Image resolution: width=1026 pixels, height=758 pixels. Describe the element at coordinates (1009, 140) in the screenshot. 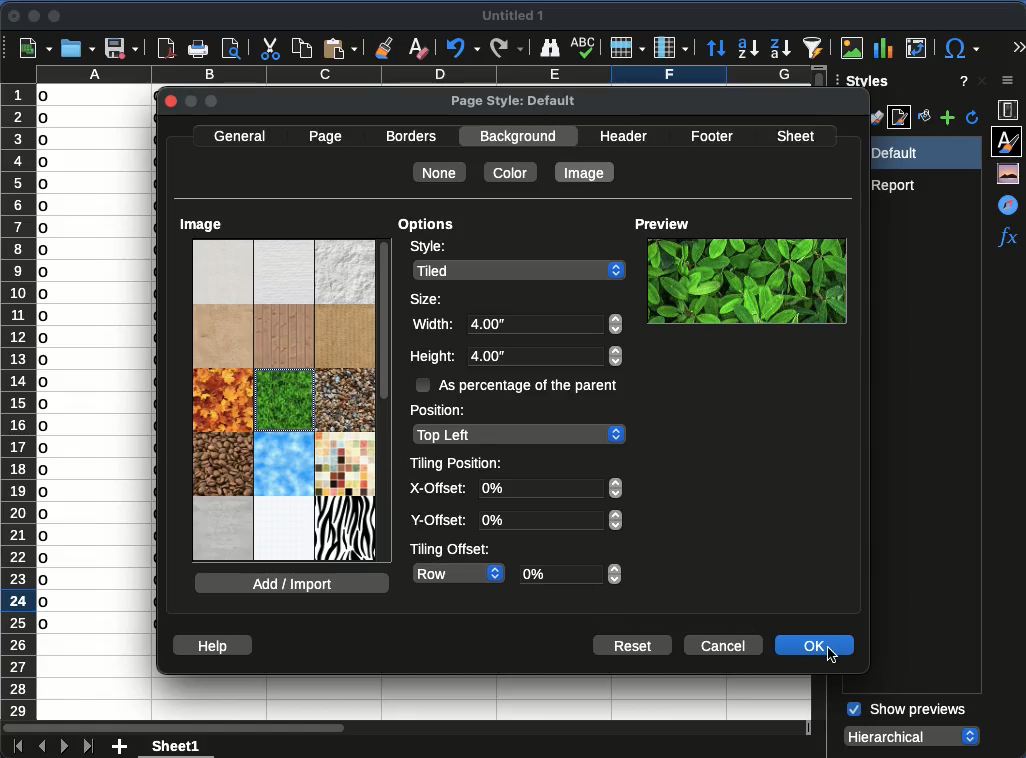

I see `styles` at that location.